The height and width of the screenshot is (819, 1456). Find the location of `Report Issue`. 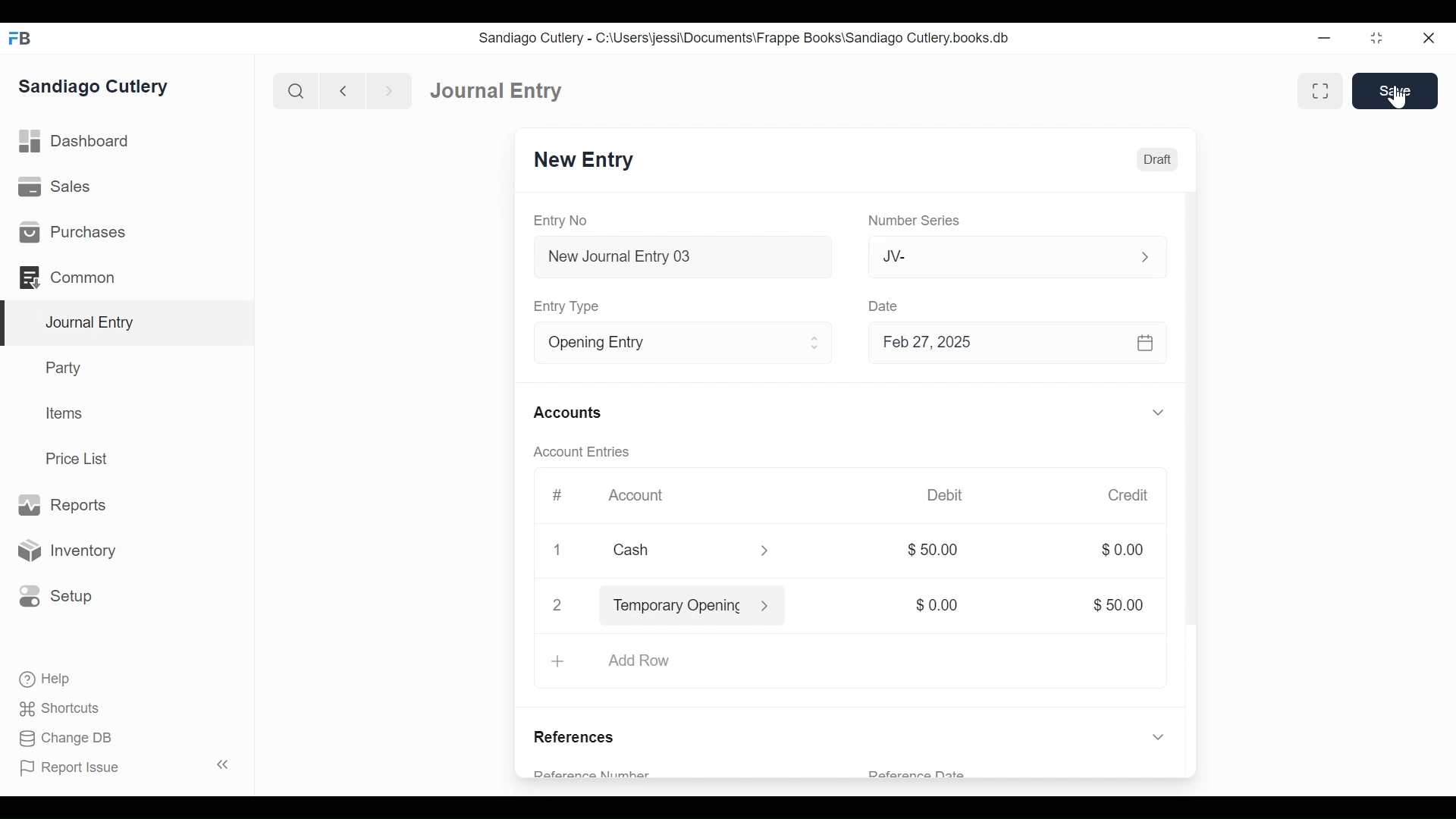

Report Issue is located at coordinates (71, 768).